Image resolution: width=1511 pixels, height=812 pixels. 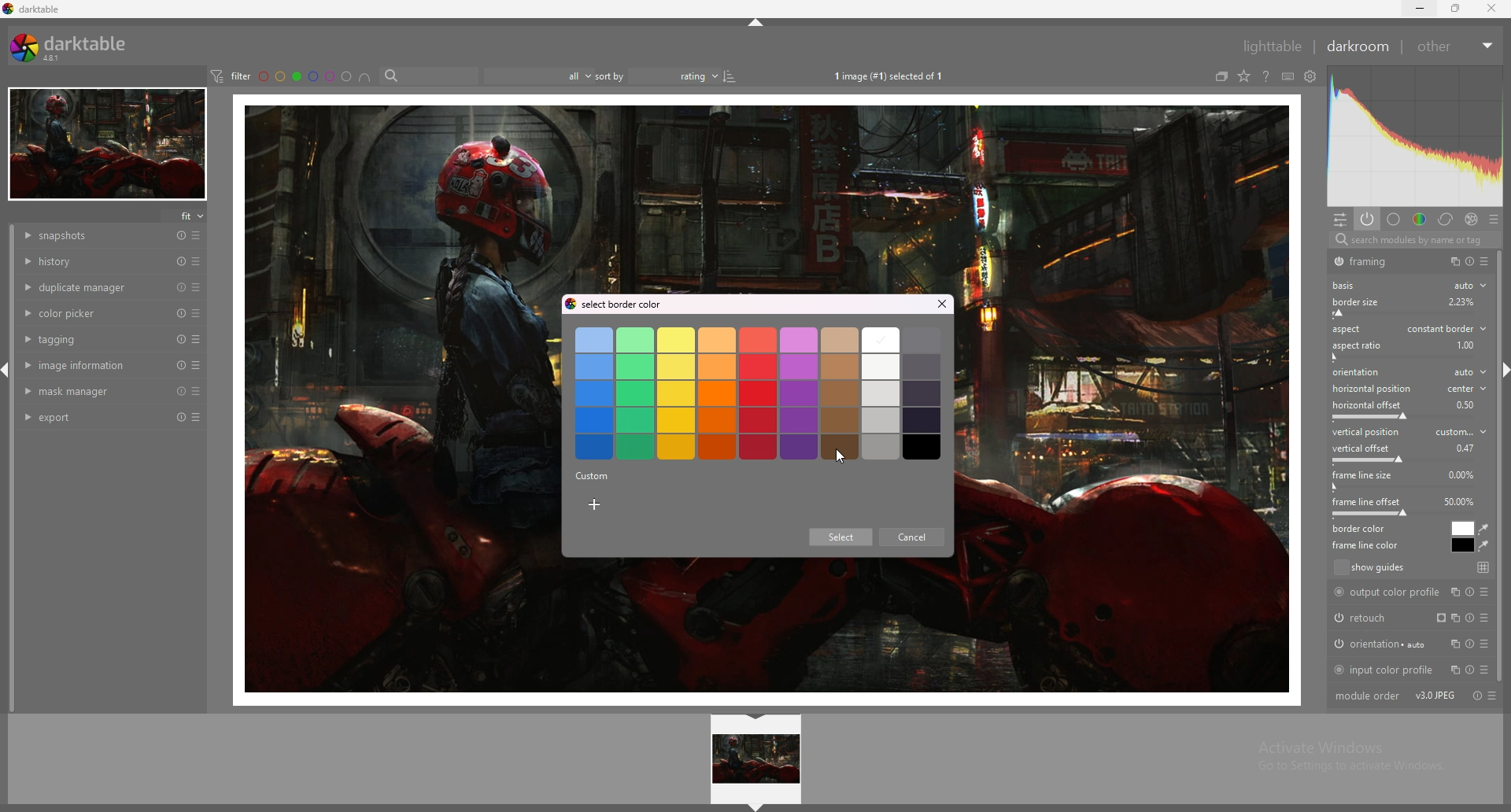 I want to click on 1image (#1) selected of 1, so click(x=896, y=77).